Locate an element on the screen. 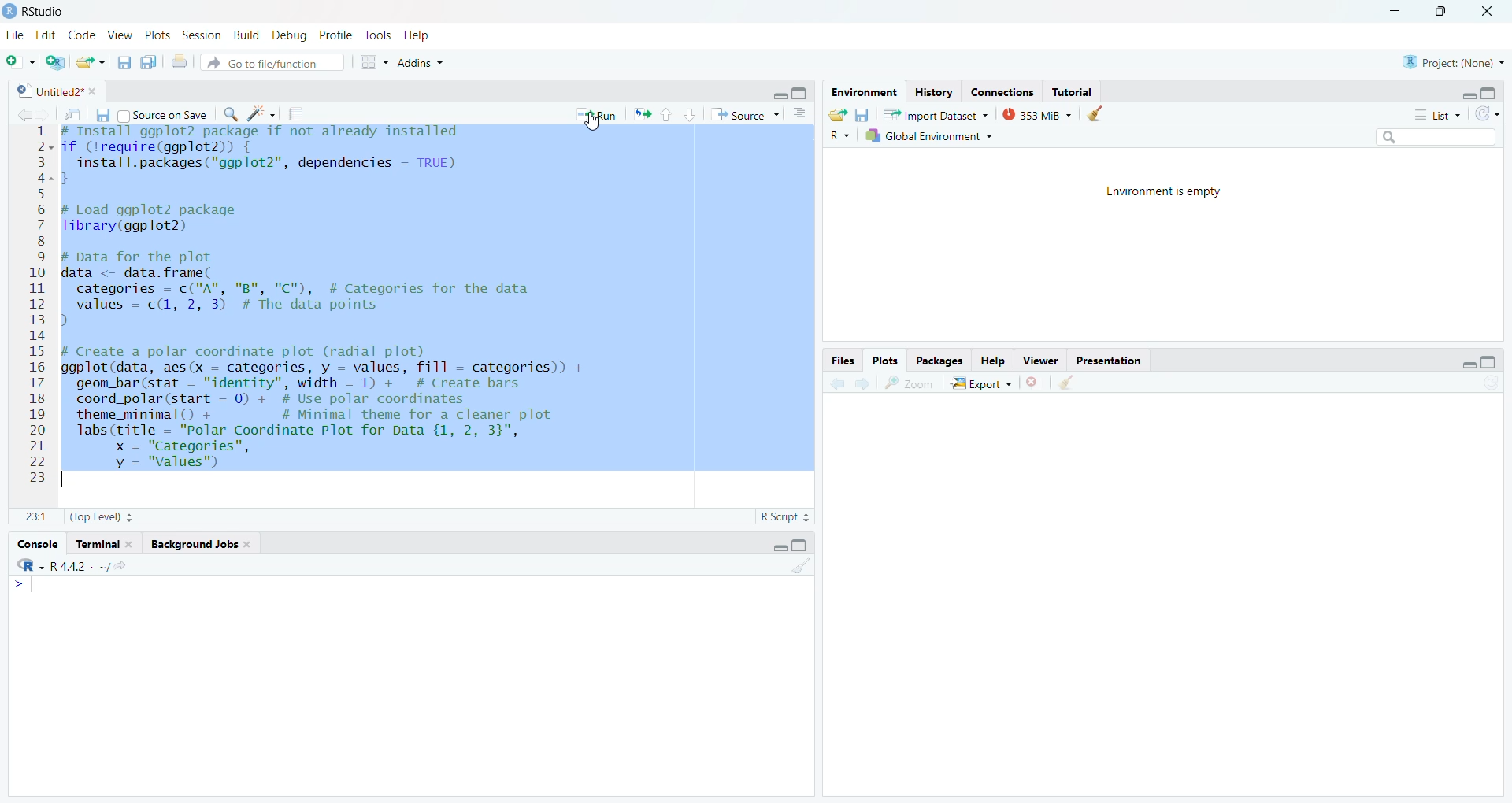 The width and height of the screenshot is (1512, 803).  Addins ~ is located at coordinates (421, 65).